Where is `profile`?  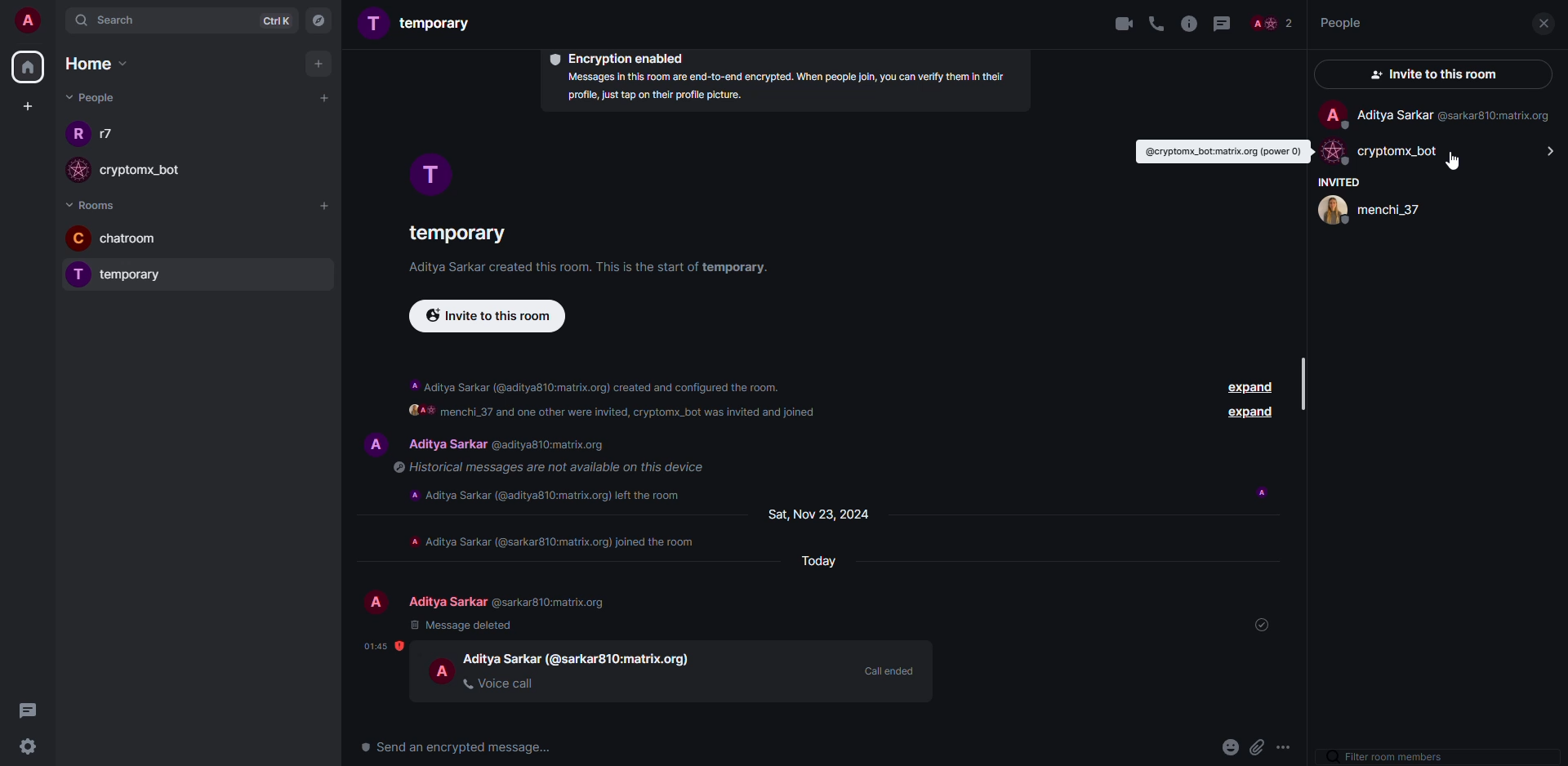 profile is located at coordinates (1334, 114).